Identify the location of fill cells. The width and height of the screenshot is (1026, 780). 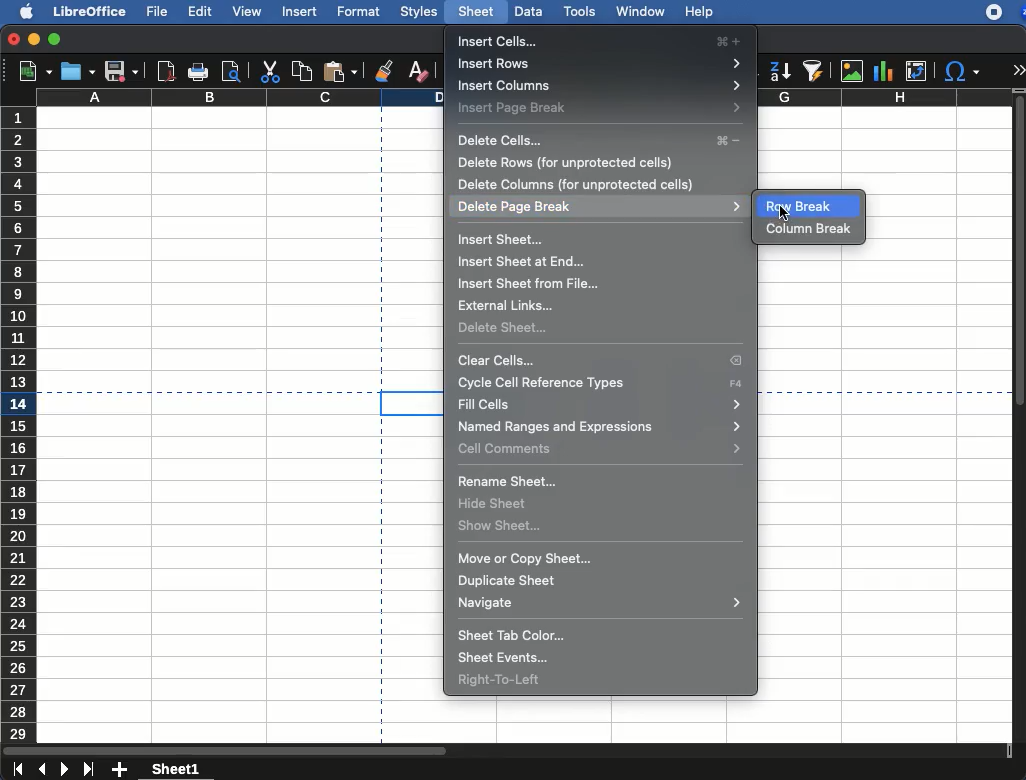
(602, 405).